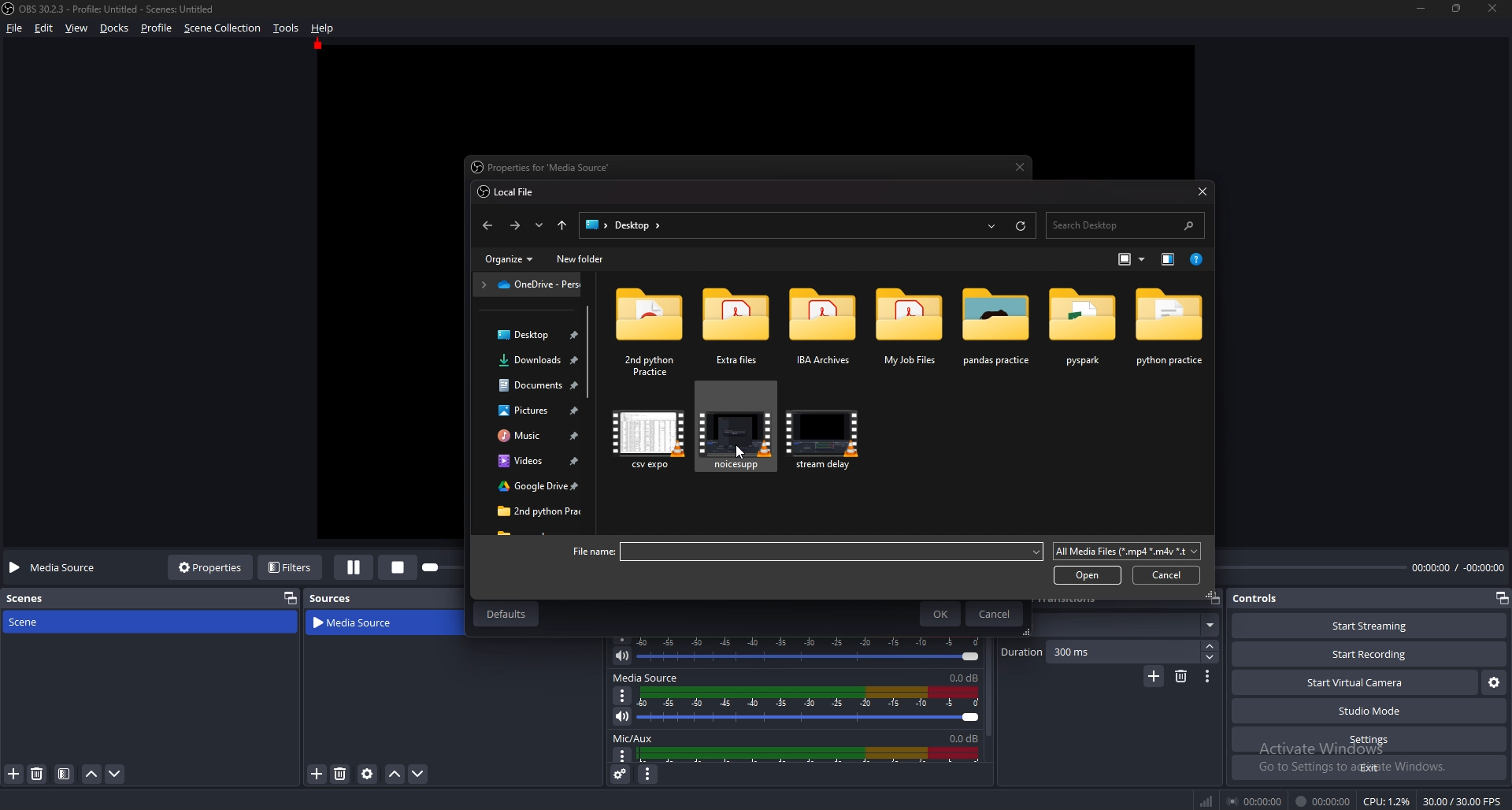 This screenshot has height=810, width=1512. Describe the element at coordinates (825, 329) in the screenshot. I see `folder` at that location.